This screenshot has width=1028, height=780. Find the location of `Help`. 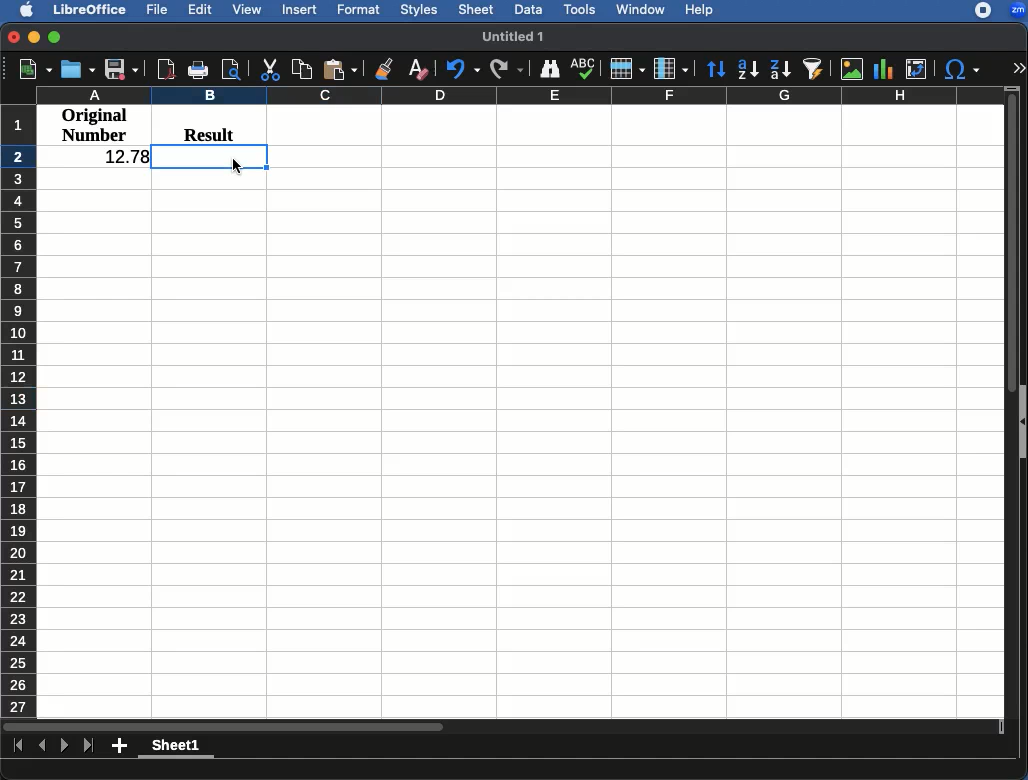

Help is located at coordinates (700, 11).